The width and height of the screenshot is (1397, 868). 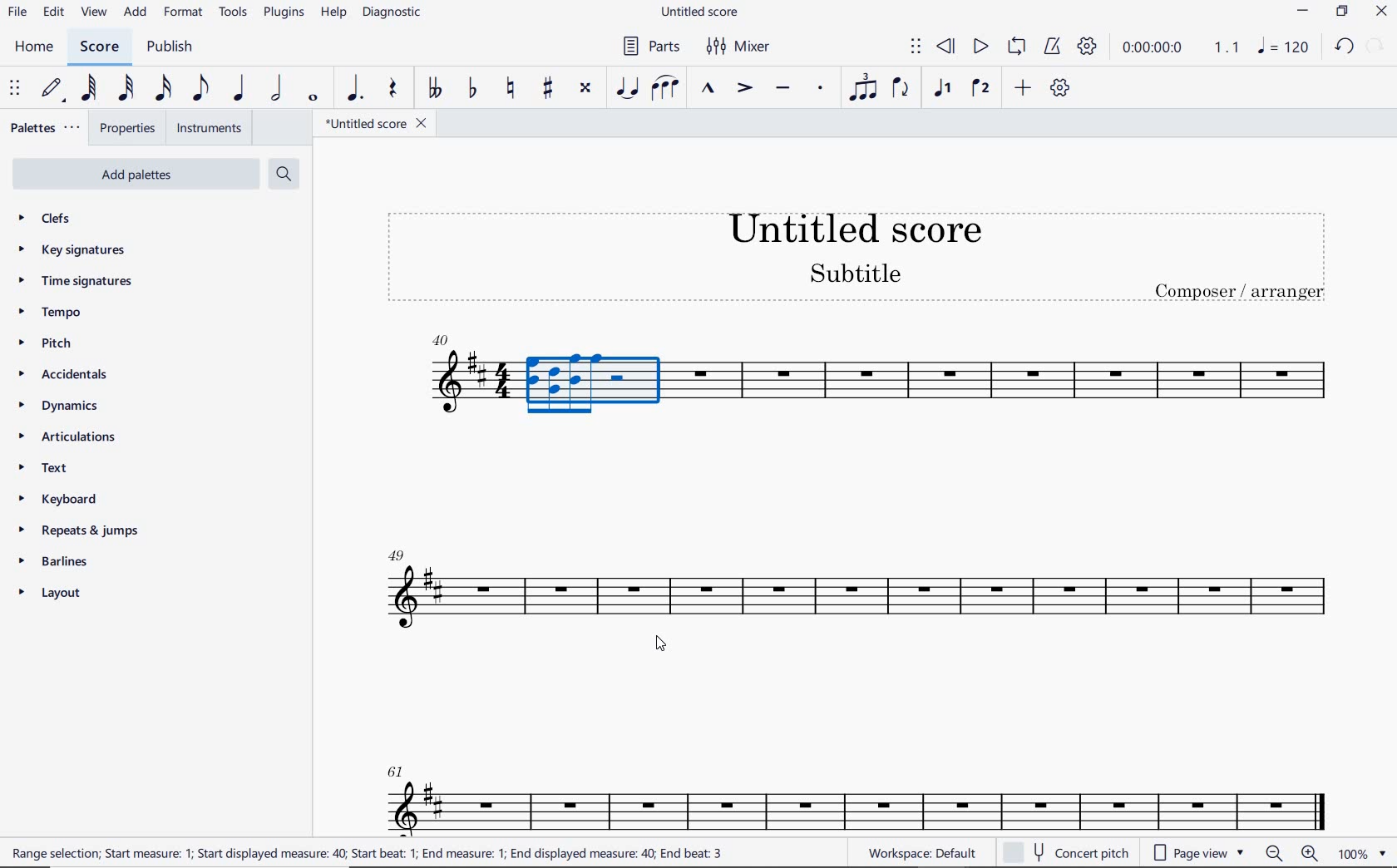 What do you see at coordinates (1360, 854) in the screenshot?
I see `zoom factor` at bounding box center [1360, 854].